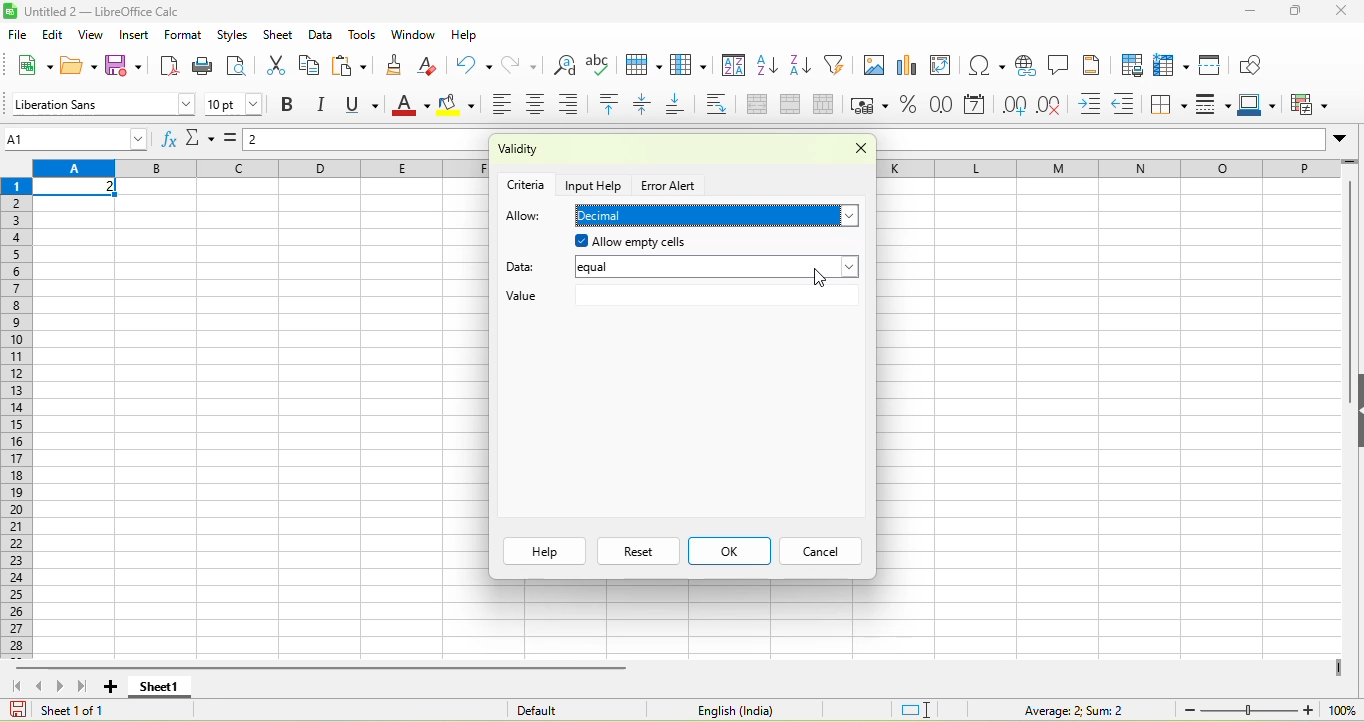 The width and height of the screenshot is (1364, 722). I want to click on split window, so click(1215, 64).